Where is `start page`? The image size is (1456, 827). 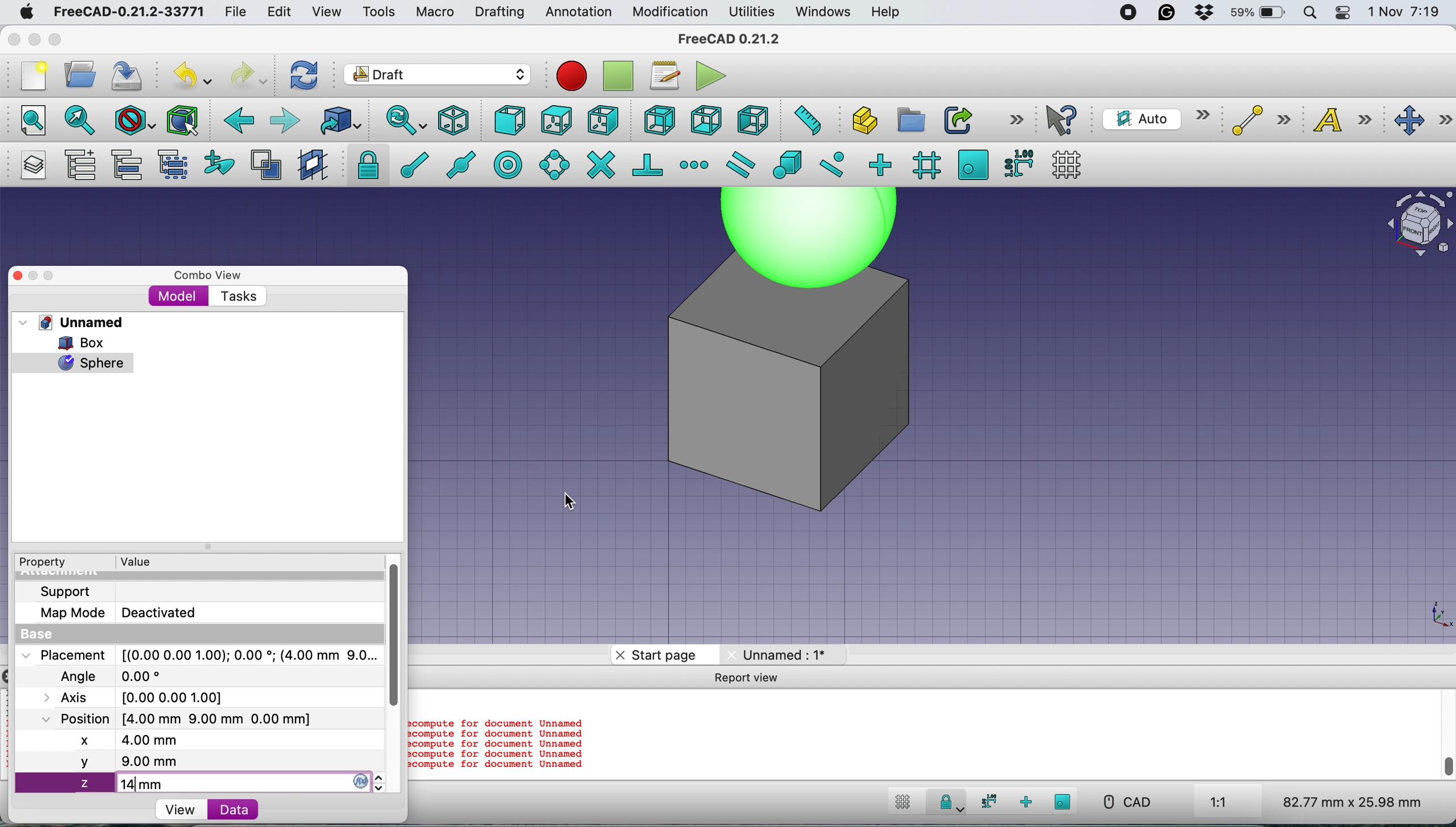 start page is located at coordinates (664, 655).